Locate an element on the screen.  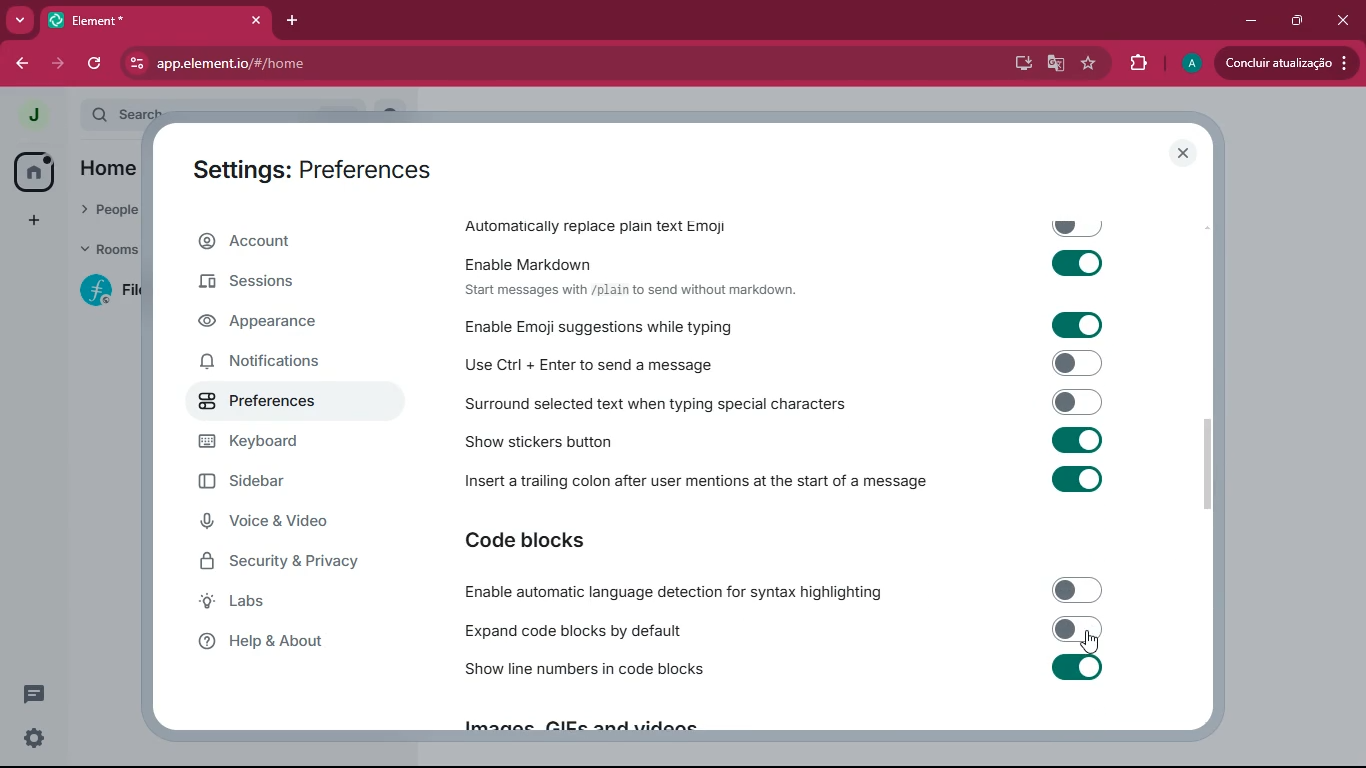
google translate is located at coordinates (1056, 63).